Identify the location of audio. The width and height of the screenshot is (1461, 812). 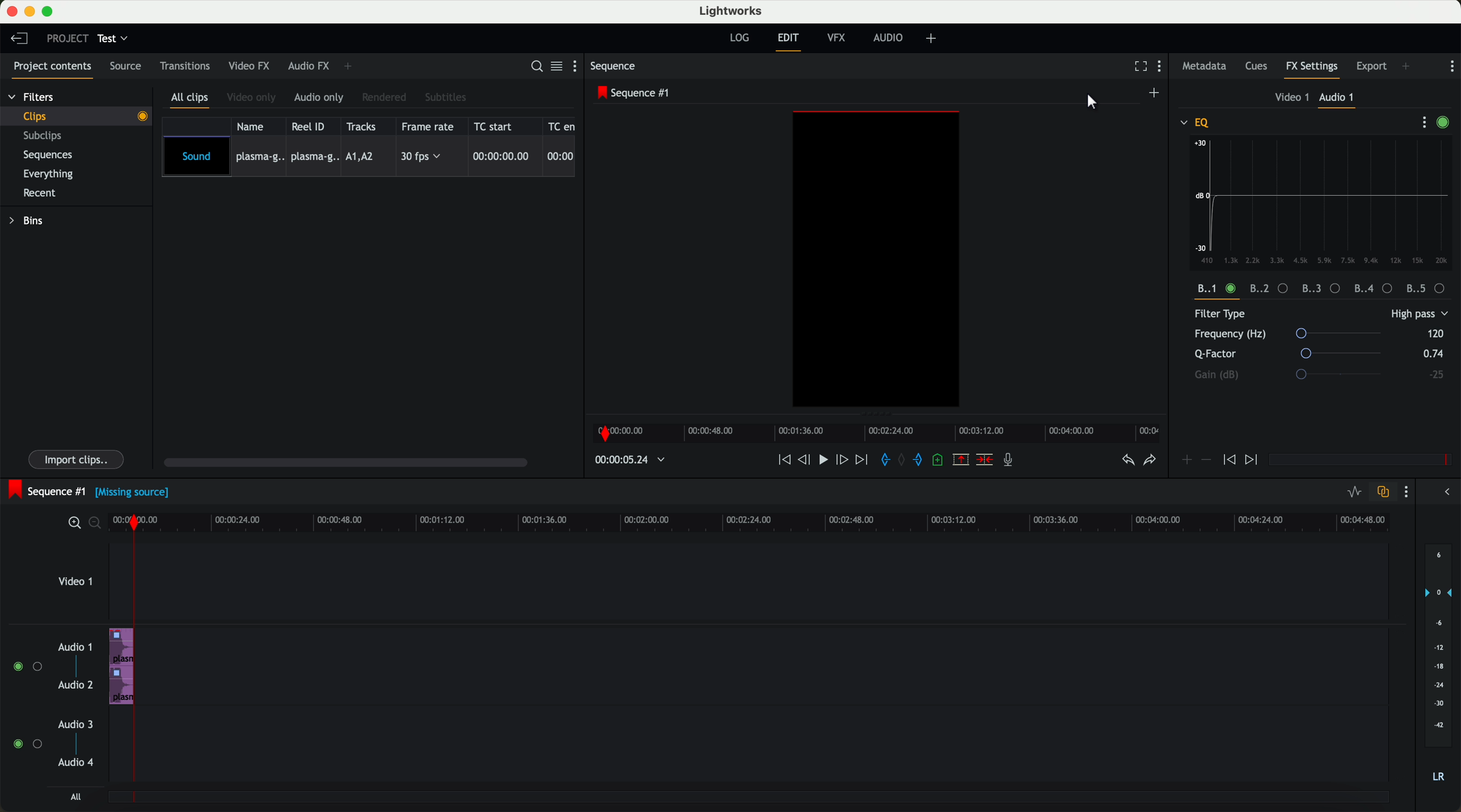
(891, 39).